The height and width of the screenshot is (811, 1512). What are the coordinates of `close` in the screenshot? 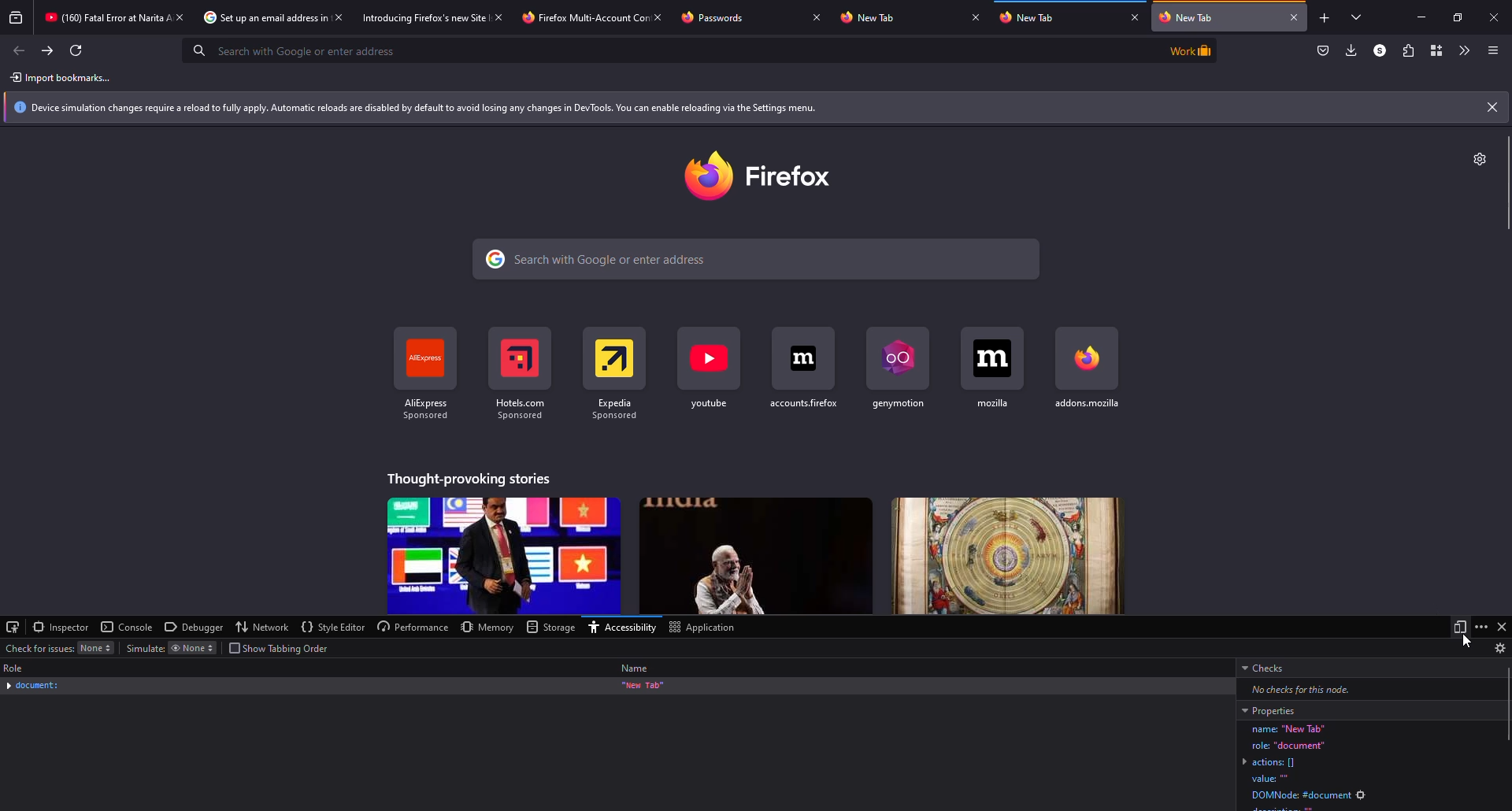 It's located at (1136, 17).